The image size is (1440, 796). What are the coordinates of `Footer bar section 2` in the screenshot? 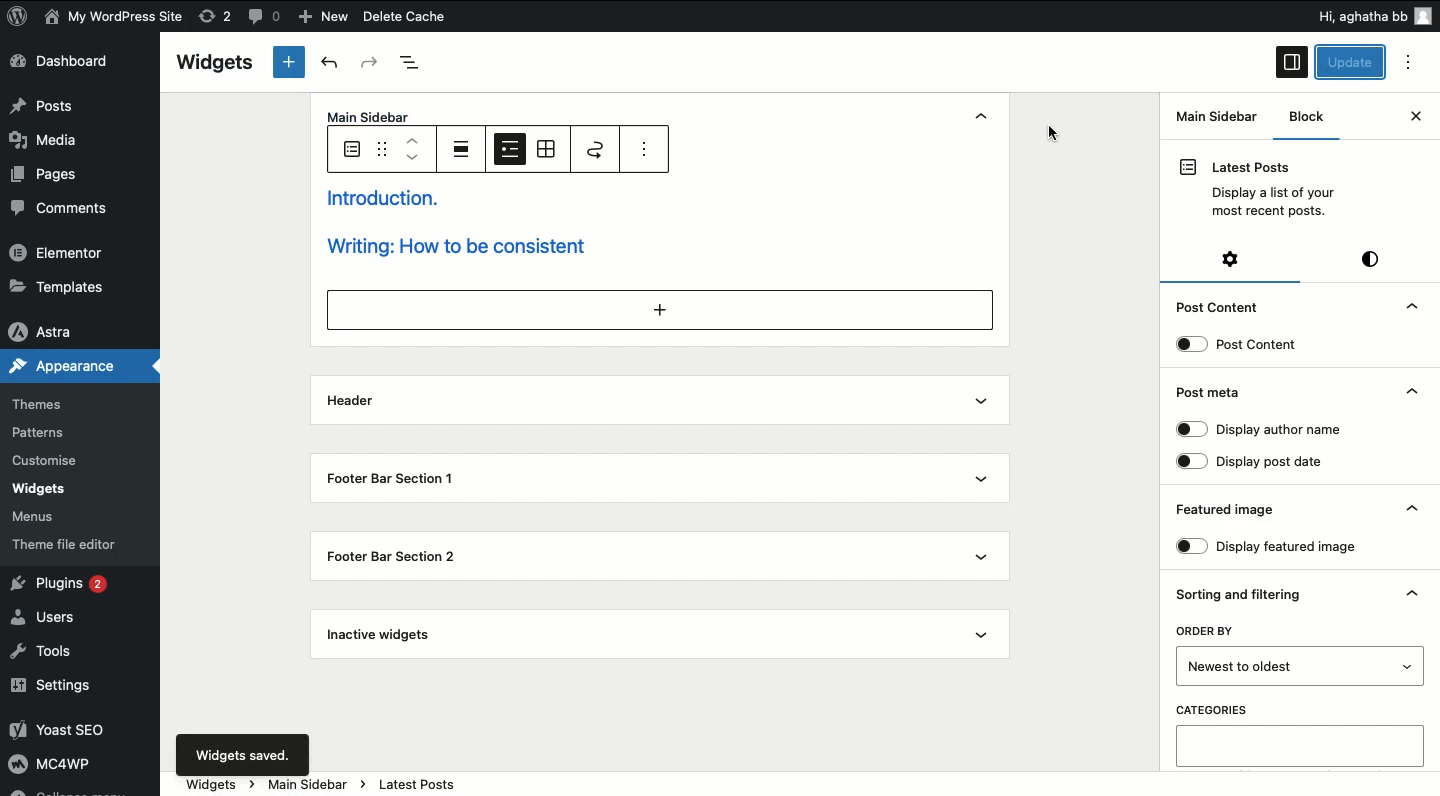 It's located at (392, 552).